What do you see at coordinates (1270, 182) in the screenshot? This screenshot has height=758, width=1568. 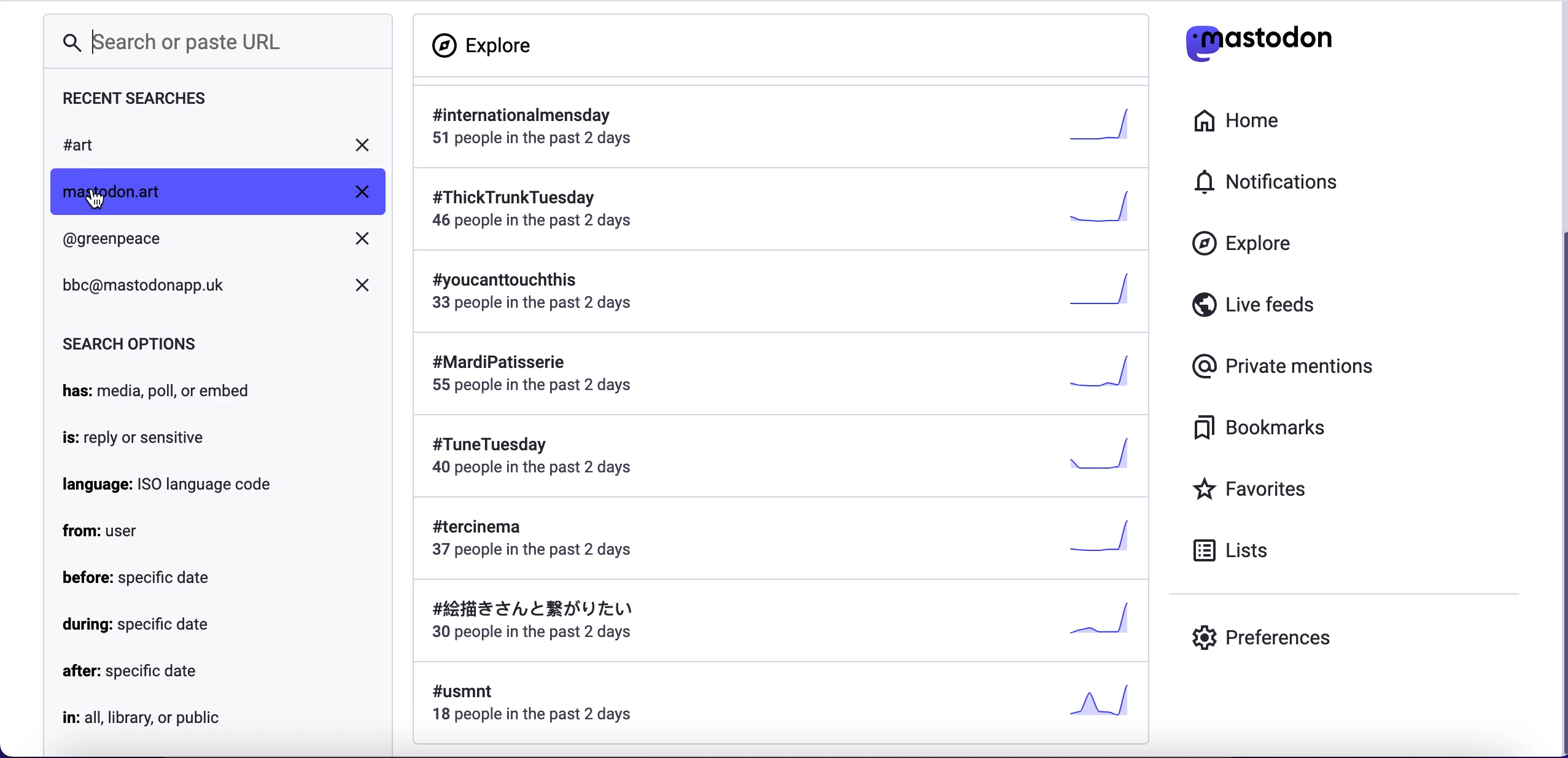 I see `notifications` at bounding box center [1270, 182].